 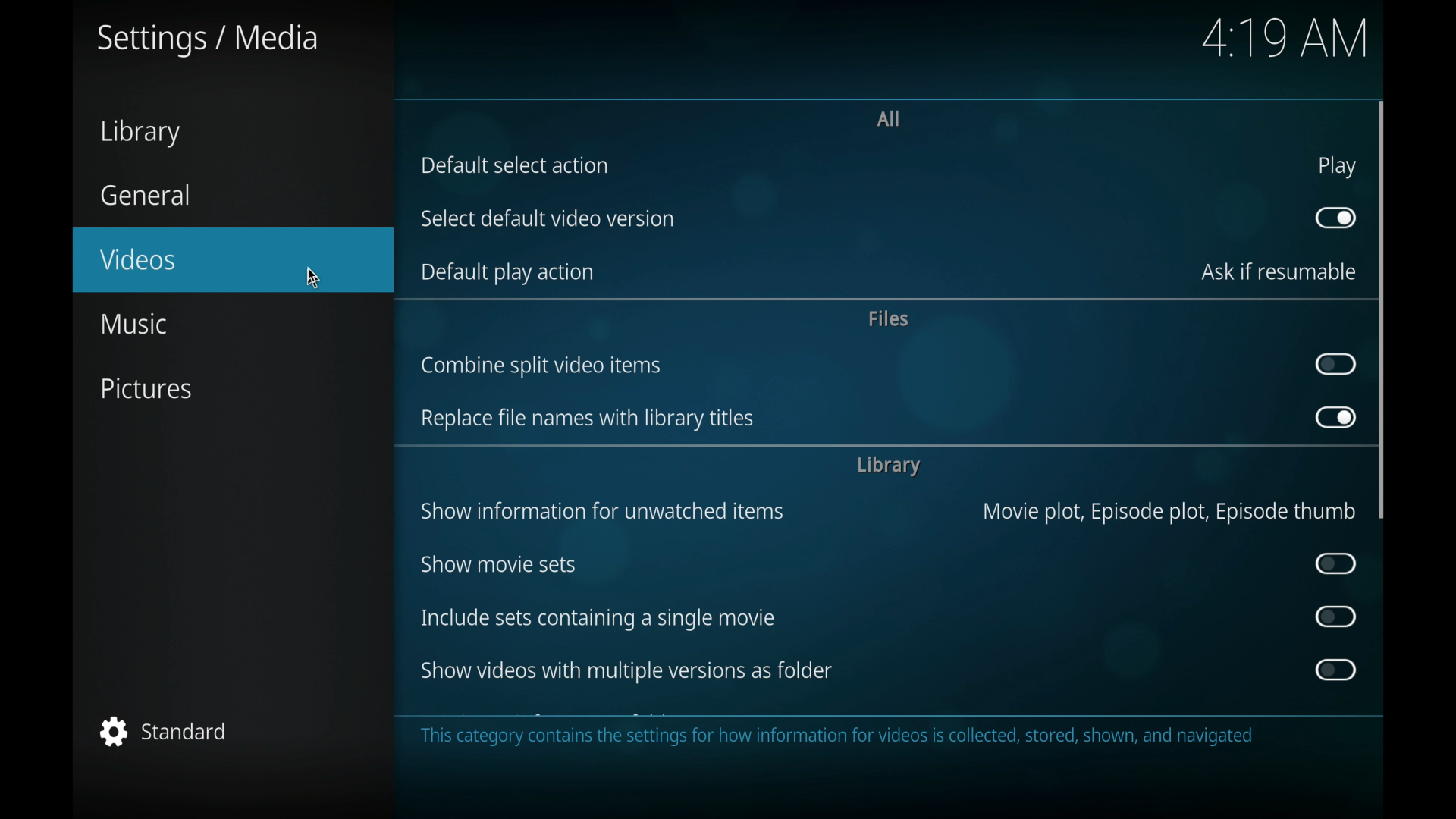 What do you see at coordinates (497, 565) in the screenshot?
I see `show movie sets` at bounding box center [497, 565].